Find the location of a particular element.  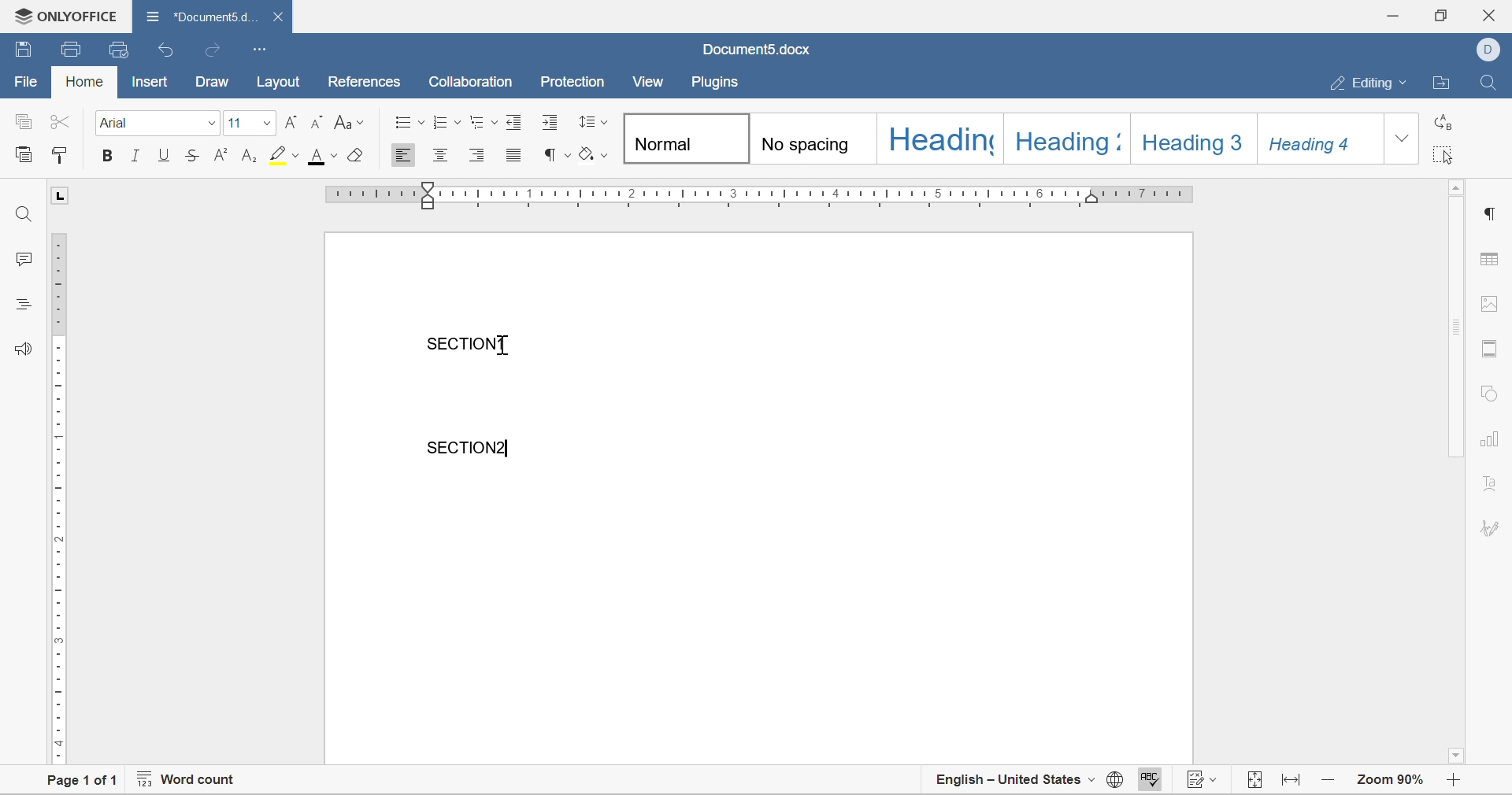

redo is located at coordinates (210, 50).